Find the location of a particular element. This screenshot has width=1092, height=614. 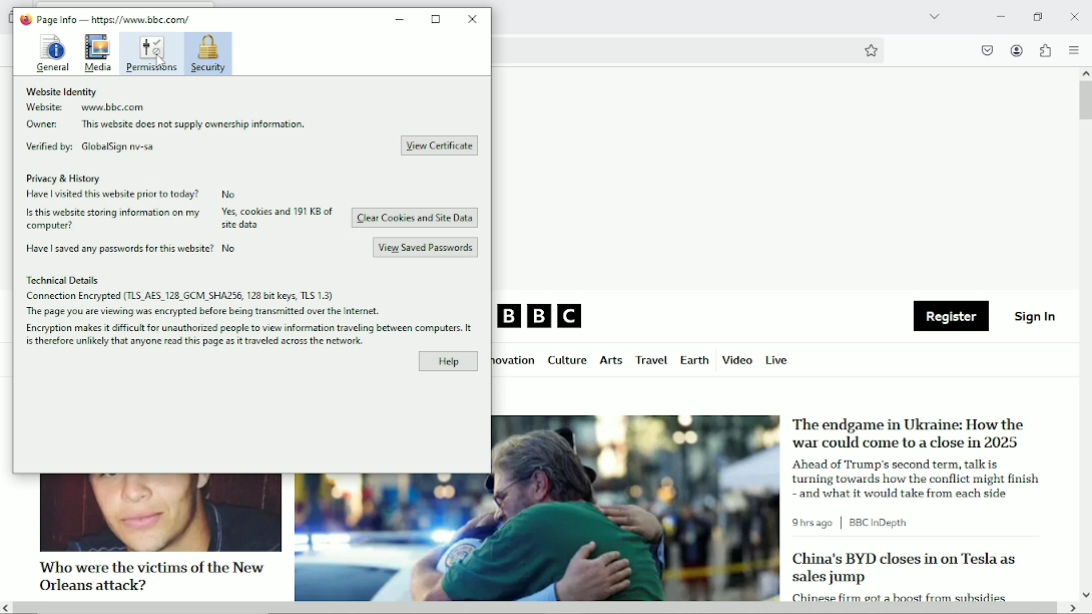

Vertical scrollbar is located at coordinates (1085, 101).